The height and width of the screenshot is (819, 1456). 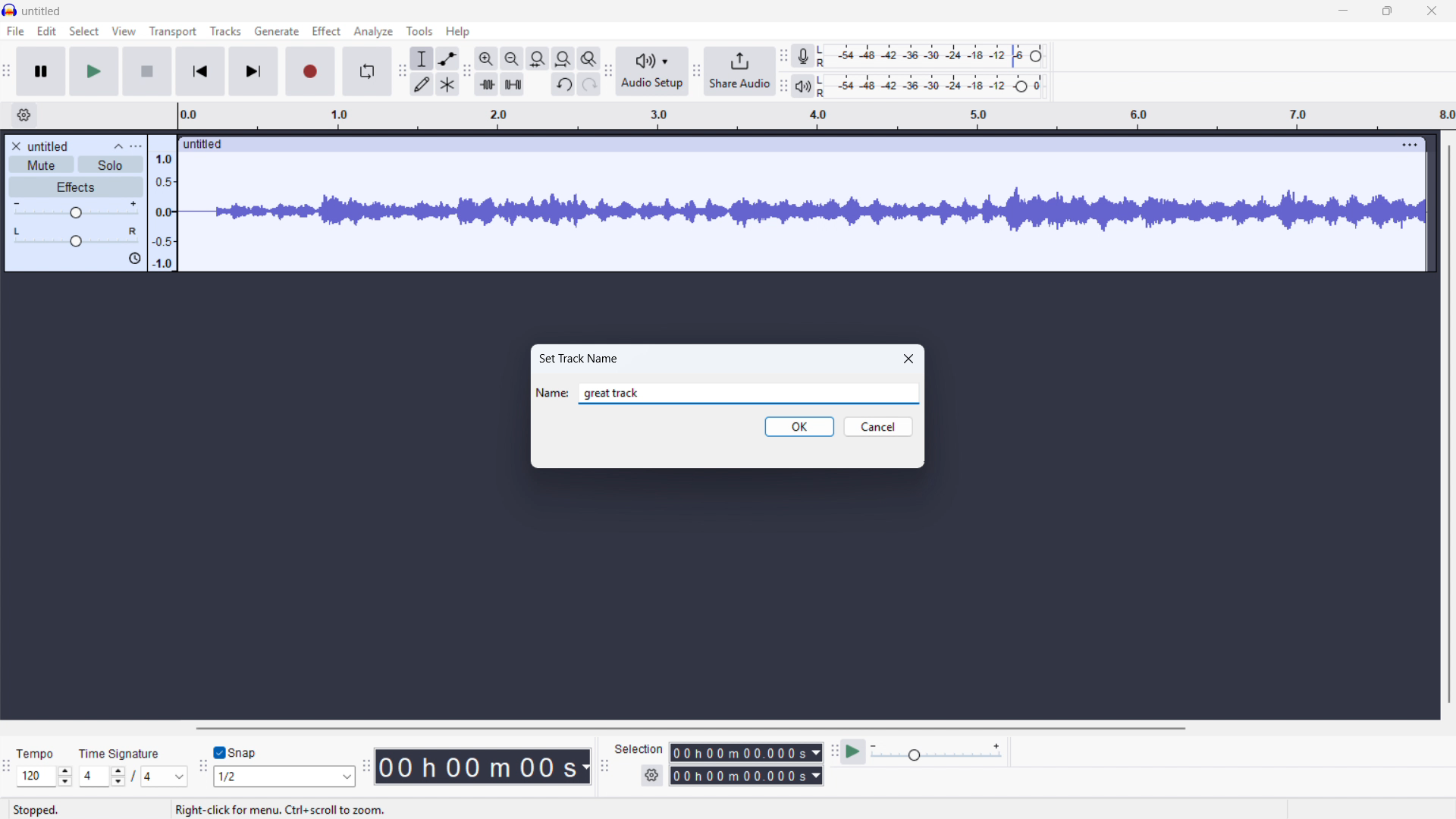 I want to click on untitled, so click(x=49, y=146).